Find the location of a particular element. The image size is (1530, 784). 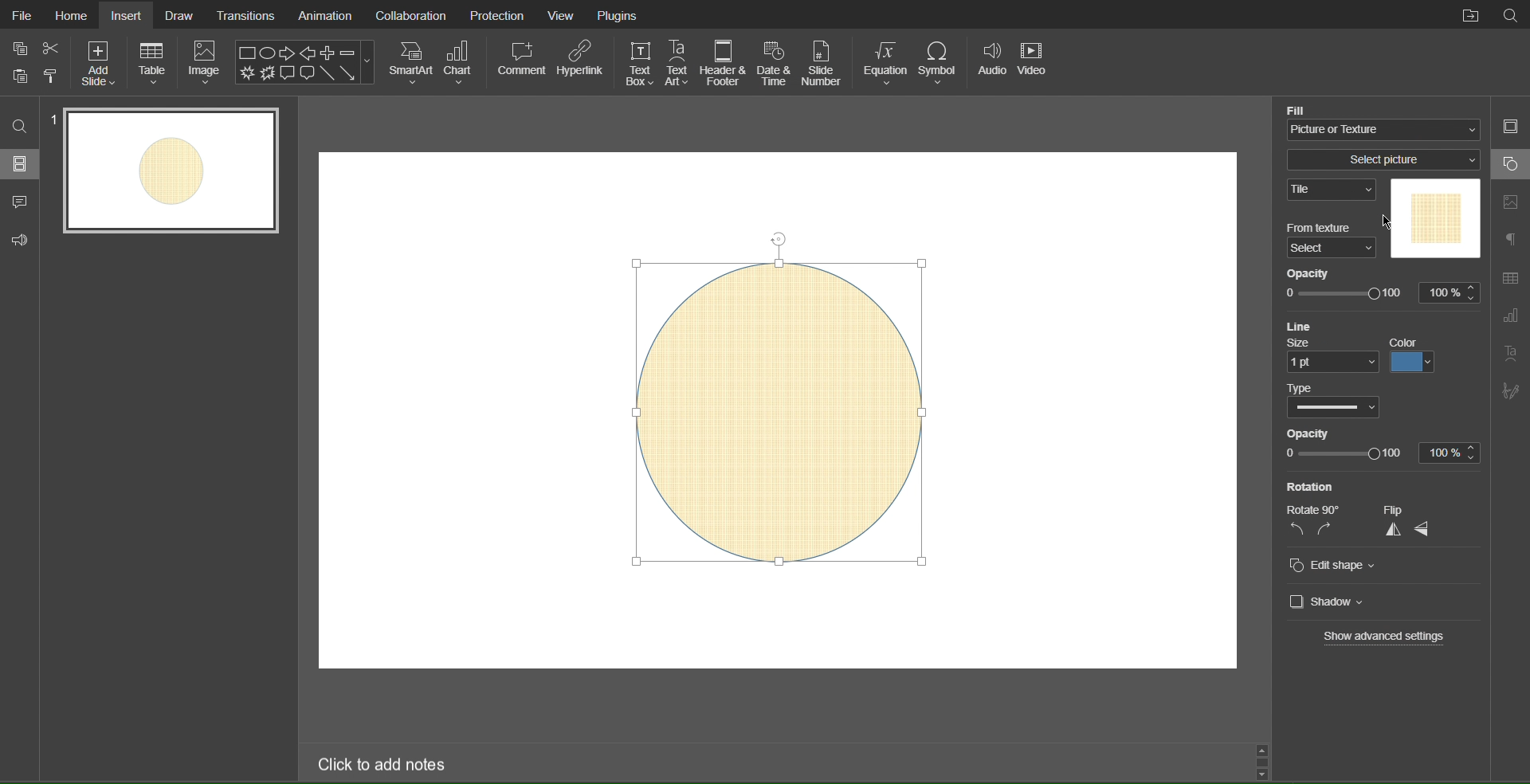

size is located at coordinates (1304, 344).